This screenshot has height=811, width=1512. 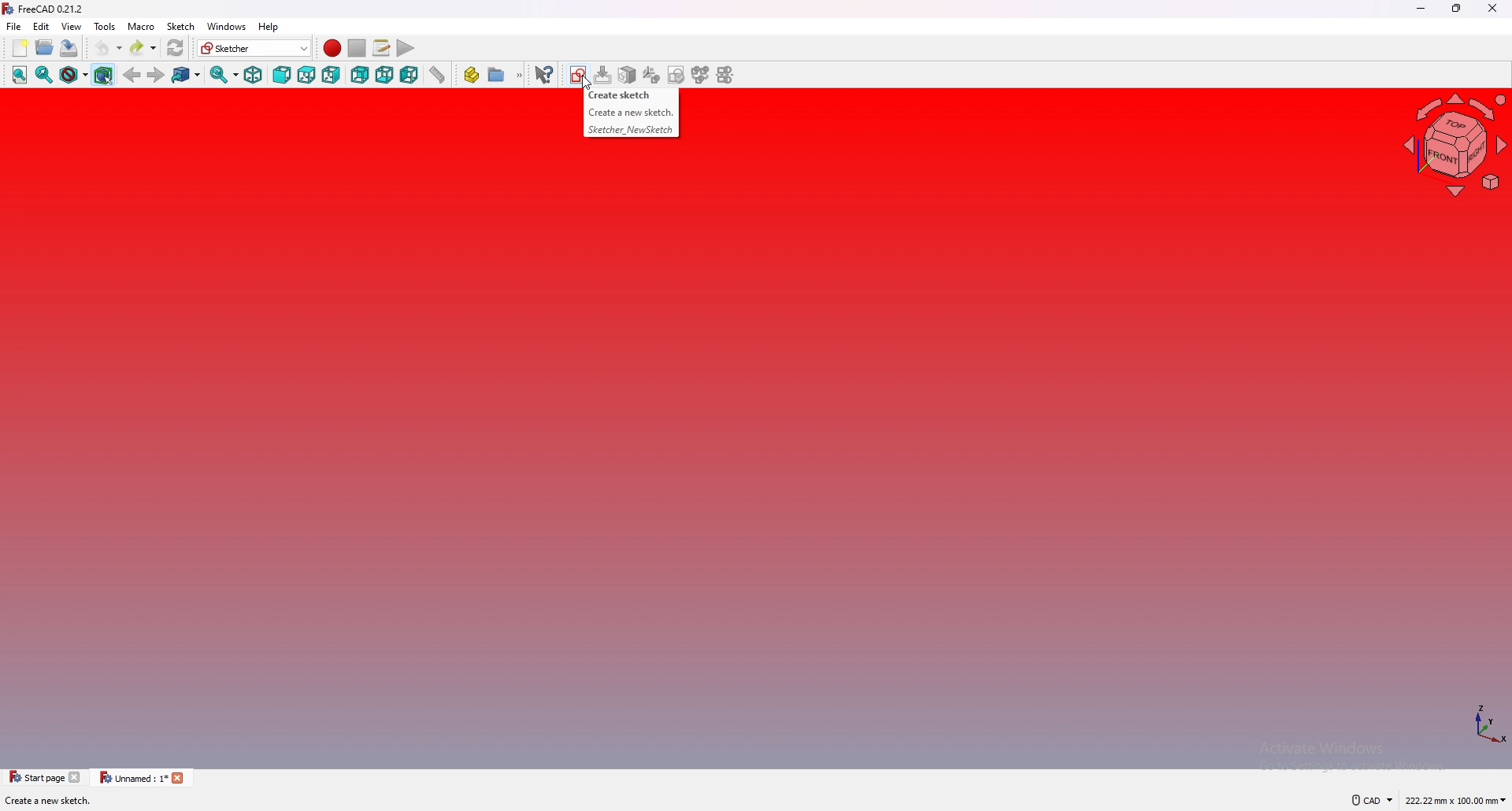 I want to click on stop macro, so click(x=356, y=47).